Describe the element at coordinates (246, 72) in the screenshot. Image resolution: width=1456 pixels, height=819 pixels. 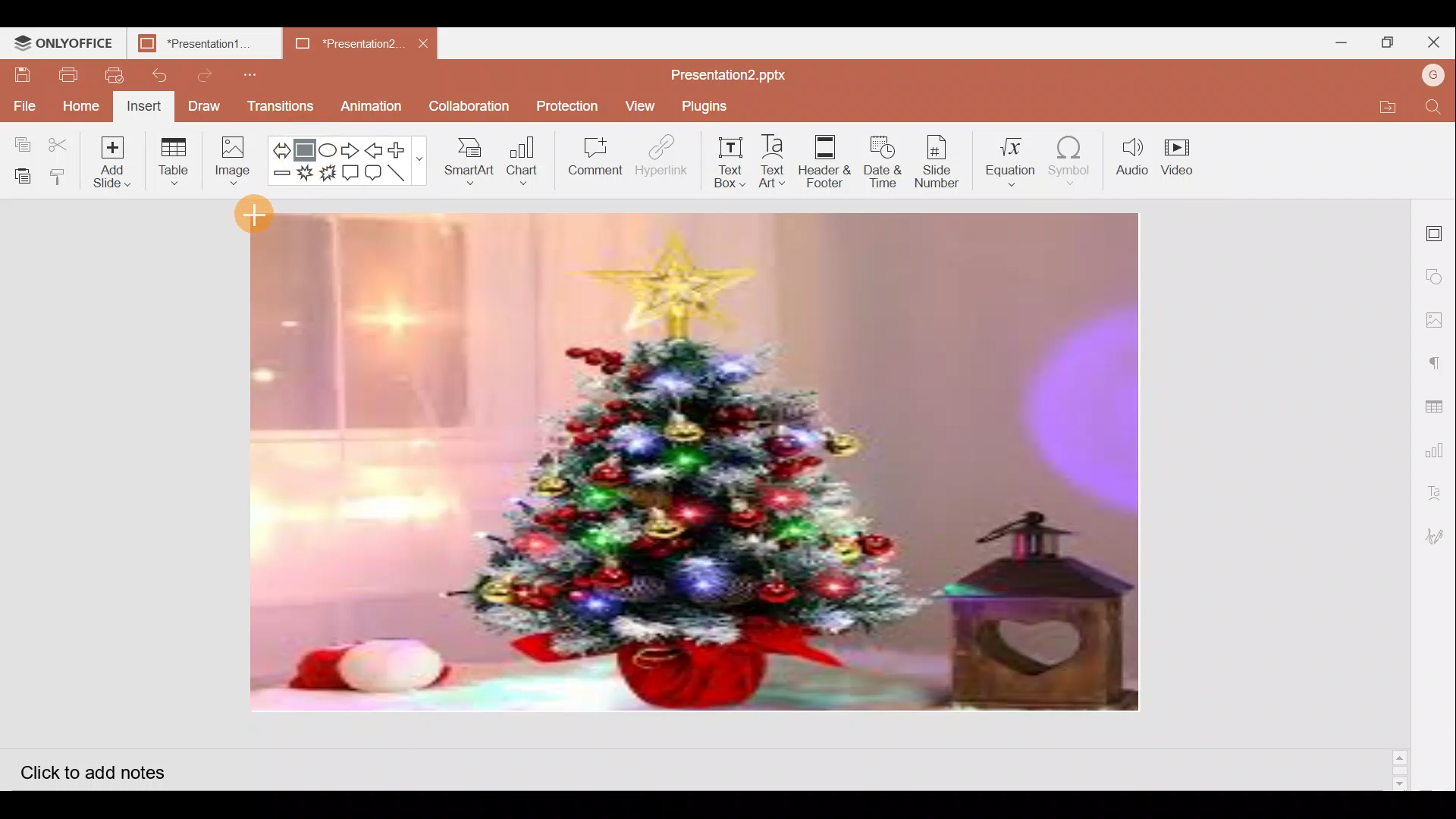
I see `Customize quick access toolbar` at that location.